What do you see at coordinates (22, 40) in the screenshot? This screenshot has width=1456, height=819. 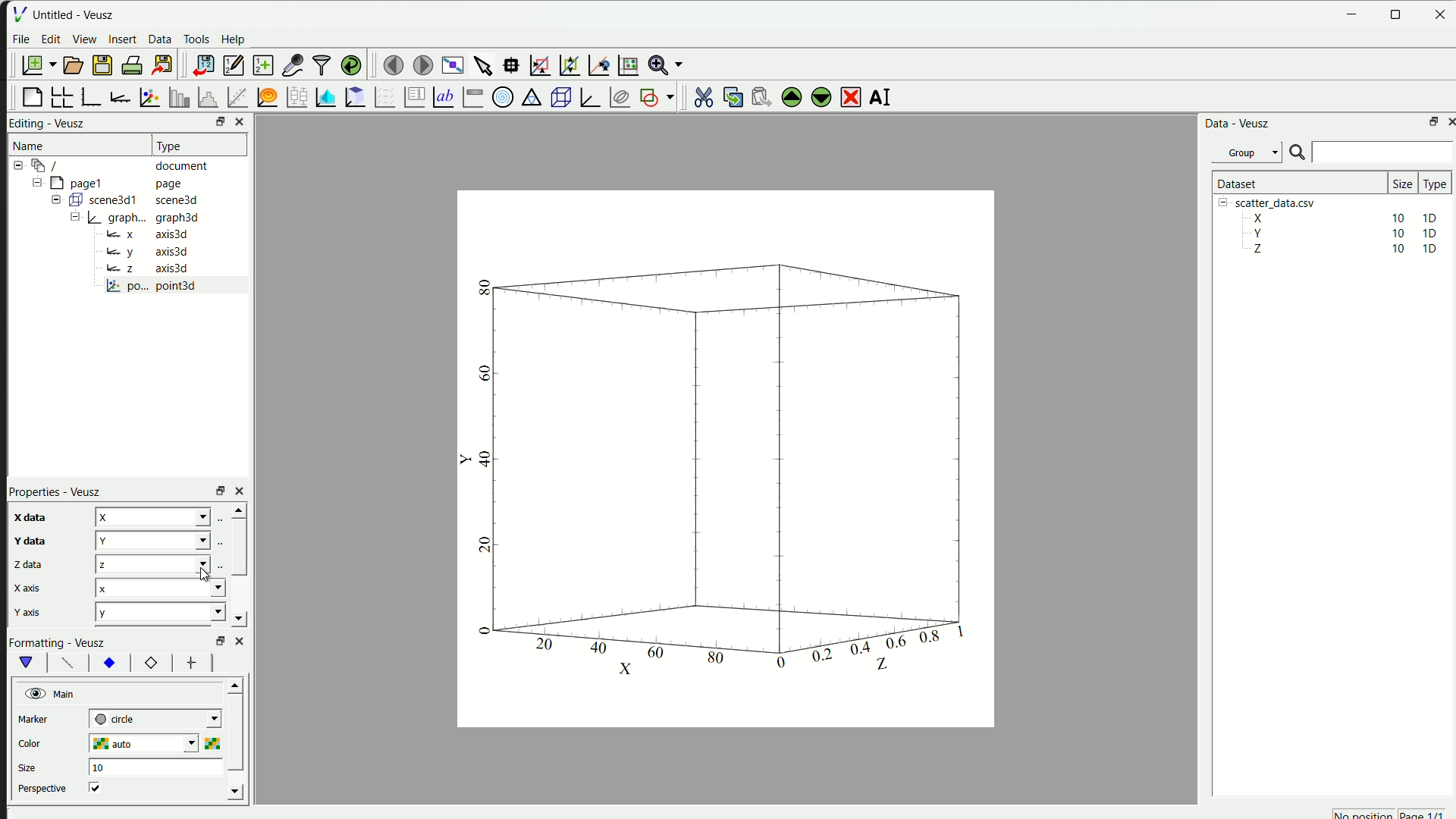 I see `File` at bounding box center [22, 40].